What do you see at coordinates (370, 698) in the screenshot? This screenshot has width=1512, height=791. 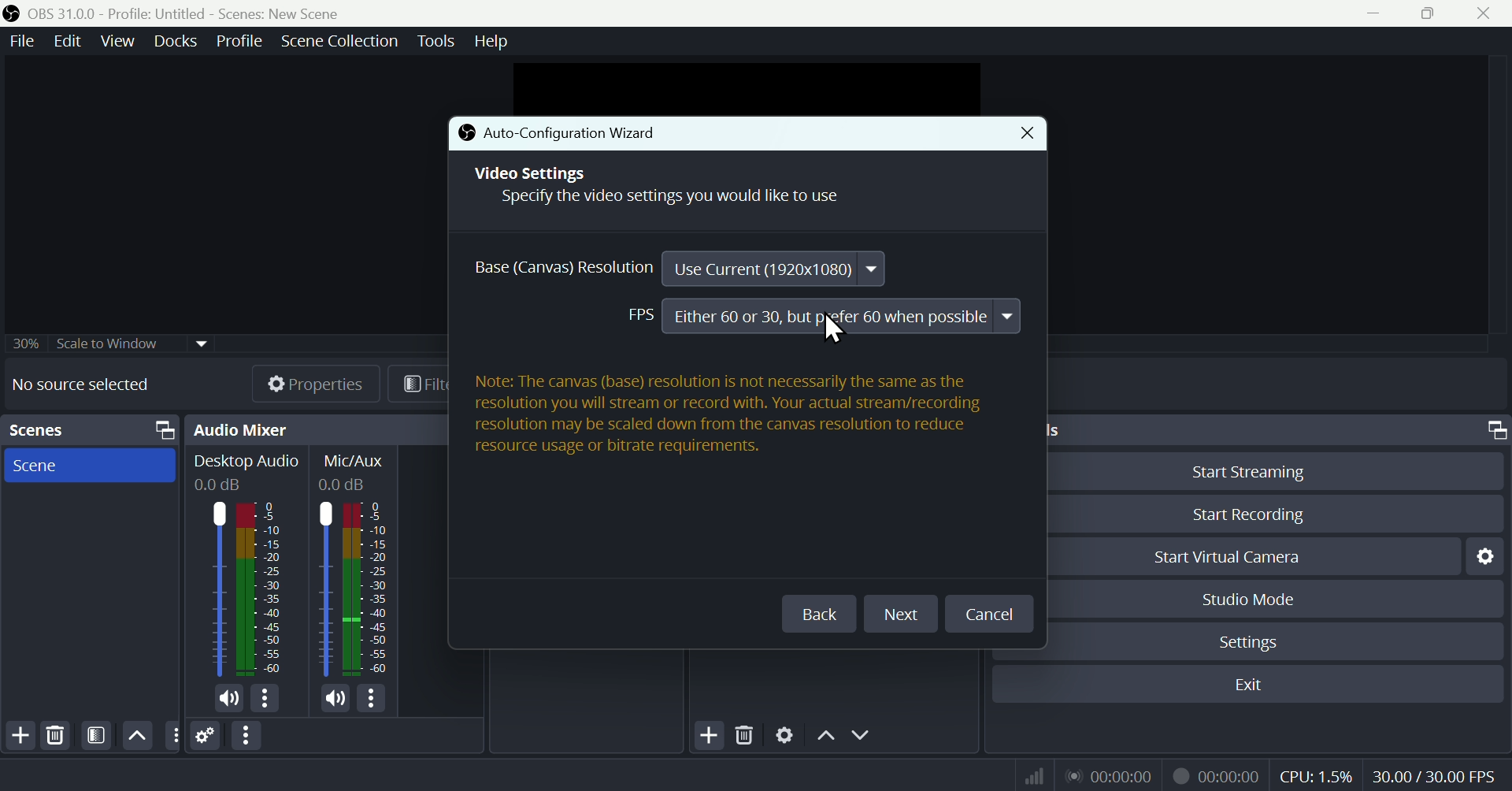 I see `options` at bounding box center [370, 698].